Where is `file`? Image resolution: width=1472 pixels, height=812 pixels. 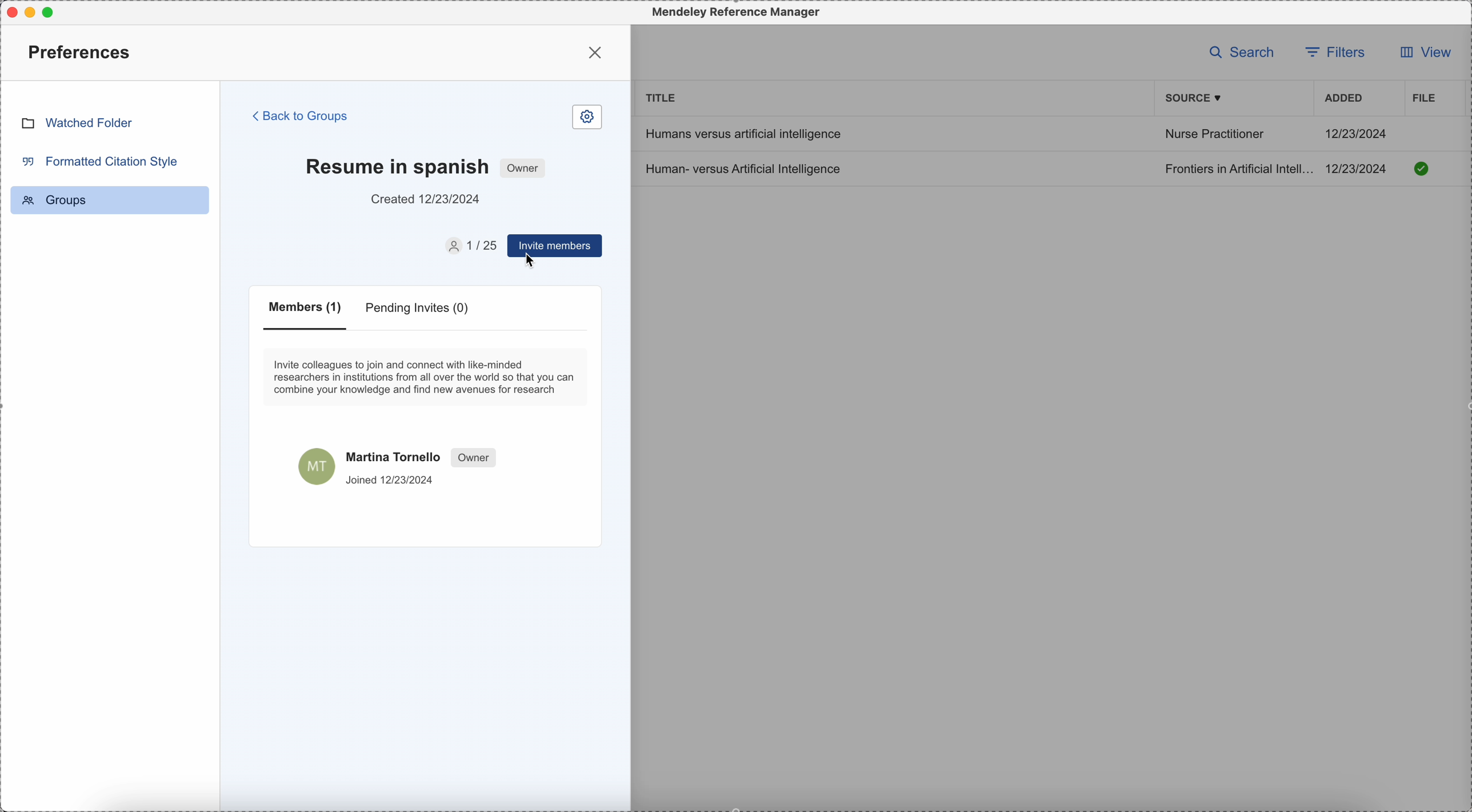 file is located at coordinates (1422, 98).